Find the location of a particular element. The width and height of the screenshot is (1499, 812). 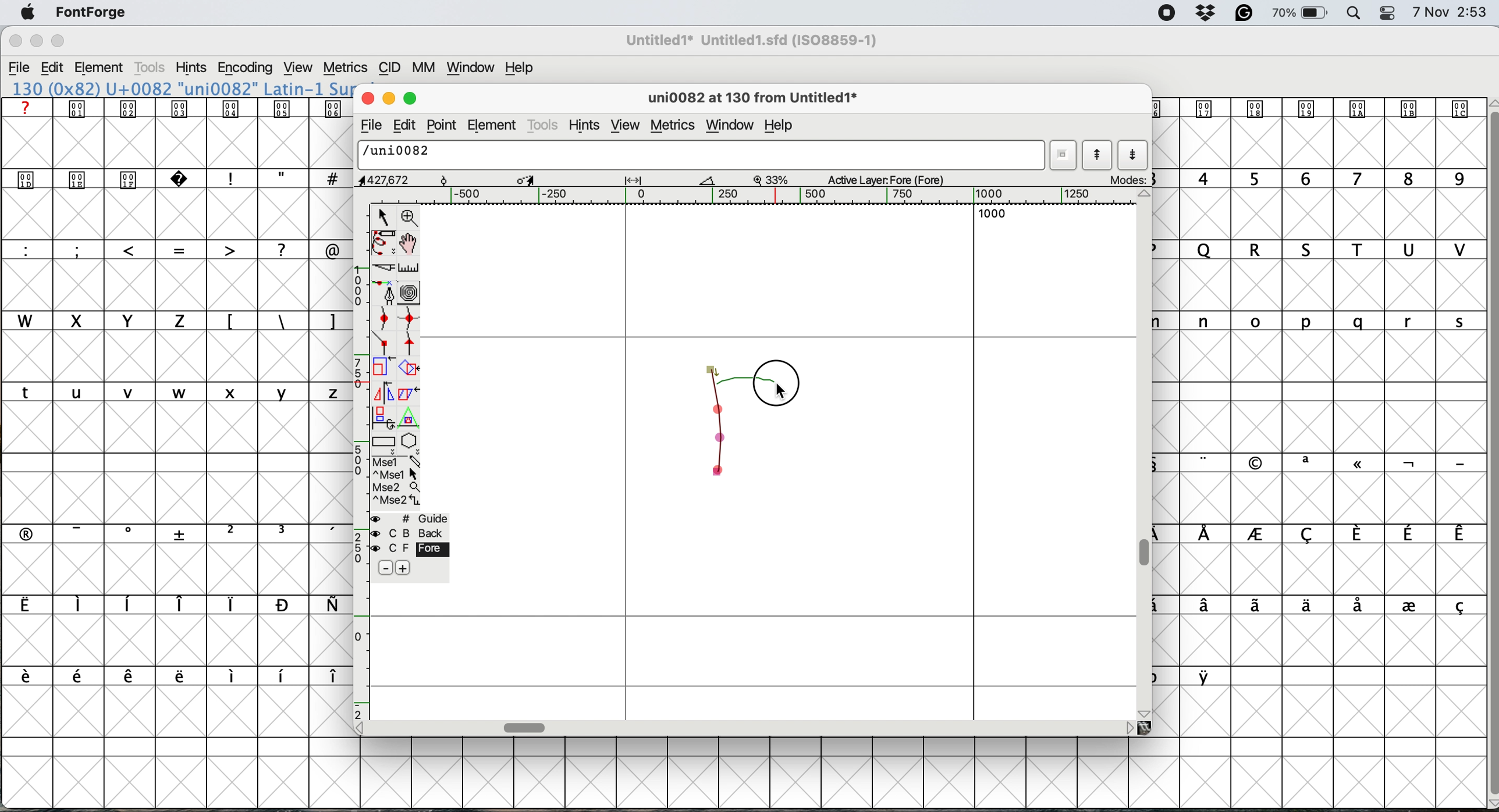

cursor is located at coordinates (779, 384).